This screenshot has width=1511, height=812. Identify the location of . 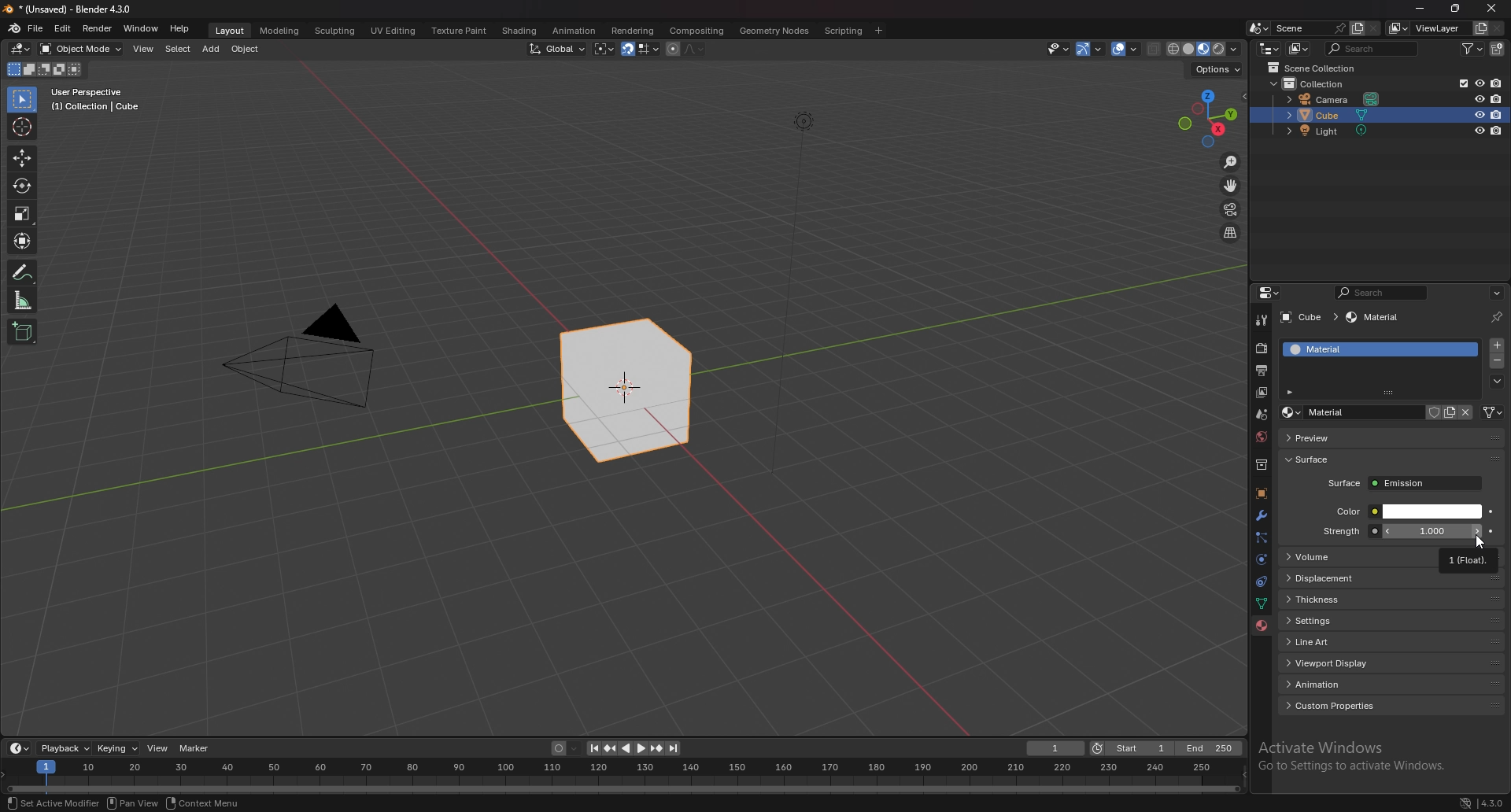
(801, 303).